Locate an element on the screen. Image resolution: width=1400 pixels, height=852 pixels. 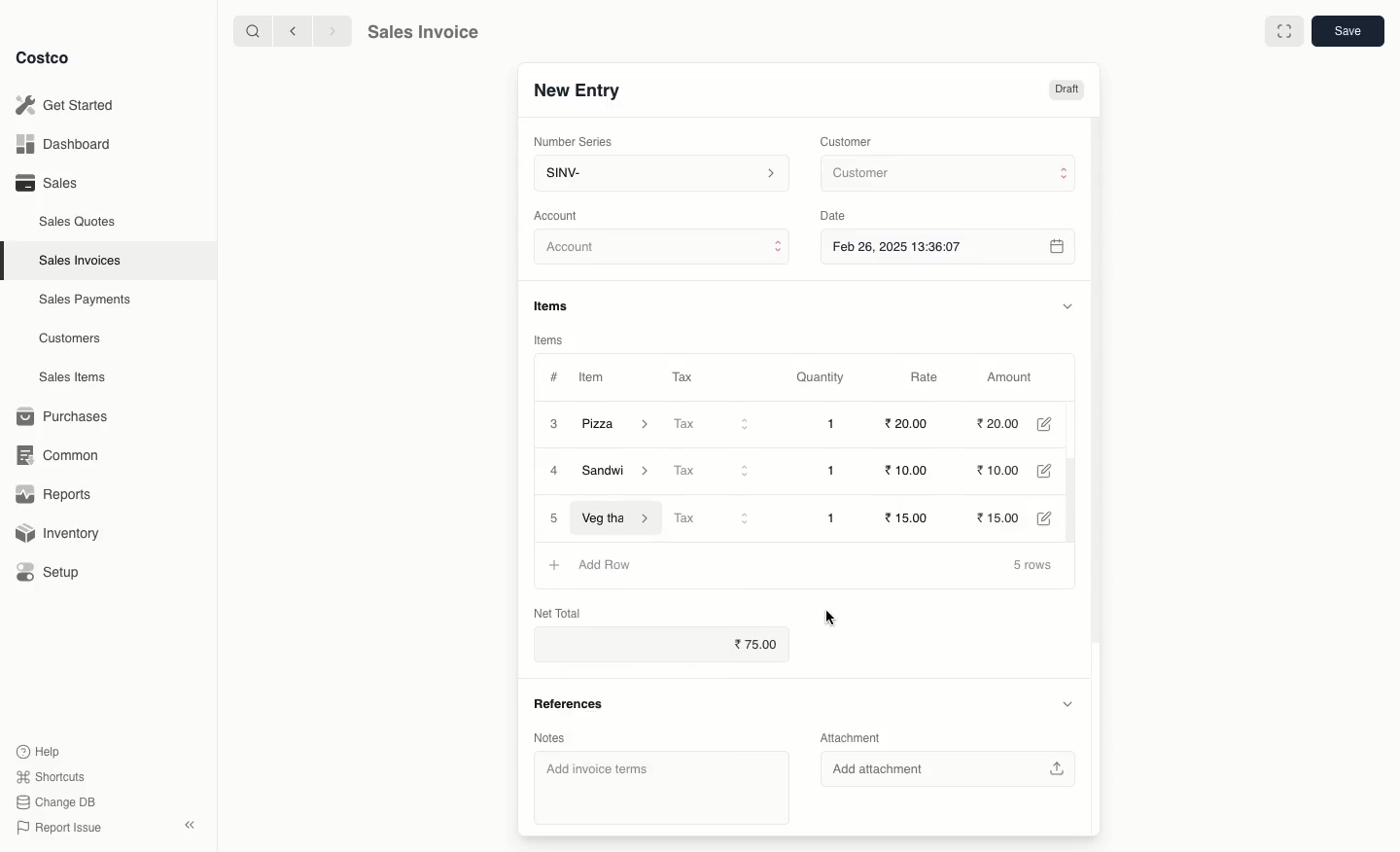
Sales Payments. is located at coordinates (87, 302).